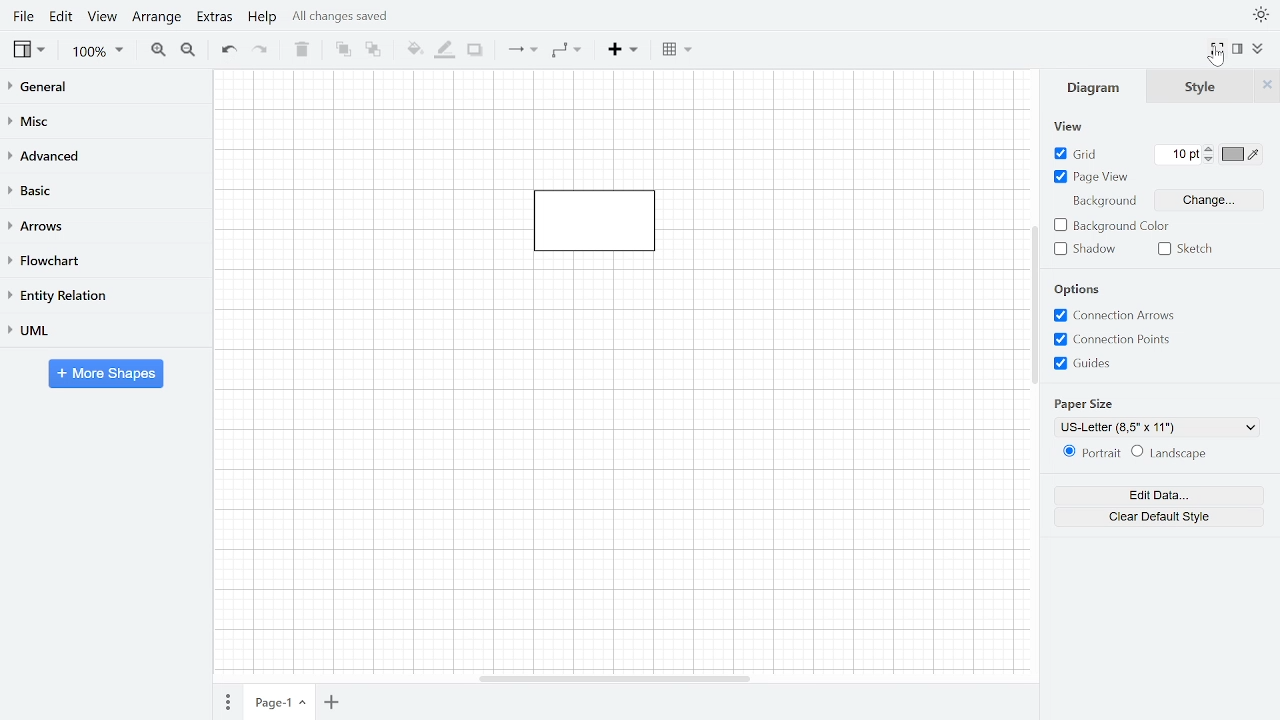 The width and height of the screenshot is (1280, 720). Describe the element at coordinates (1211, 159) in the screenshot. I see `Decrease grid pt` at that location.